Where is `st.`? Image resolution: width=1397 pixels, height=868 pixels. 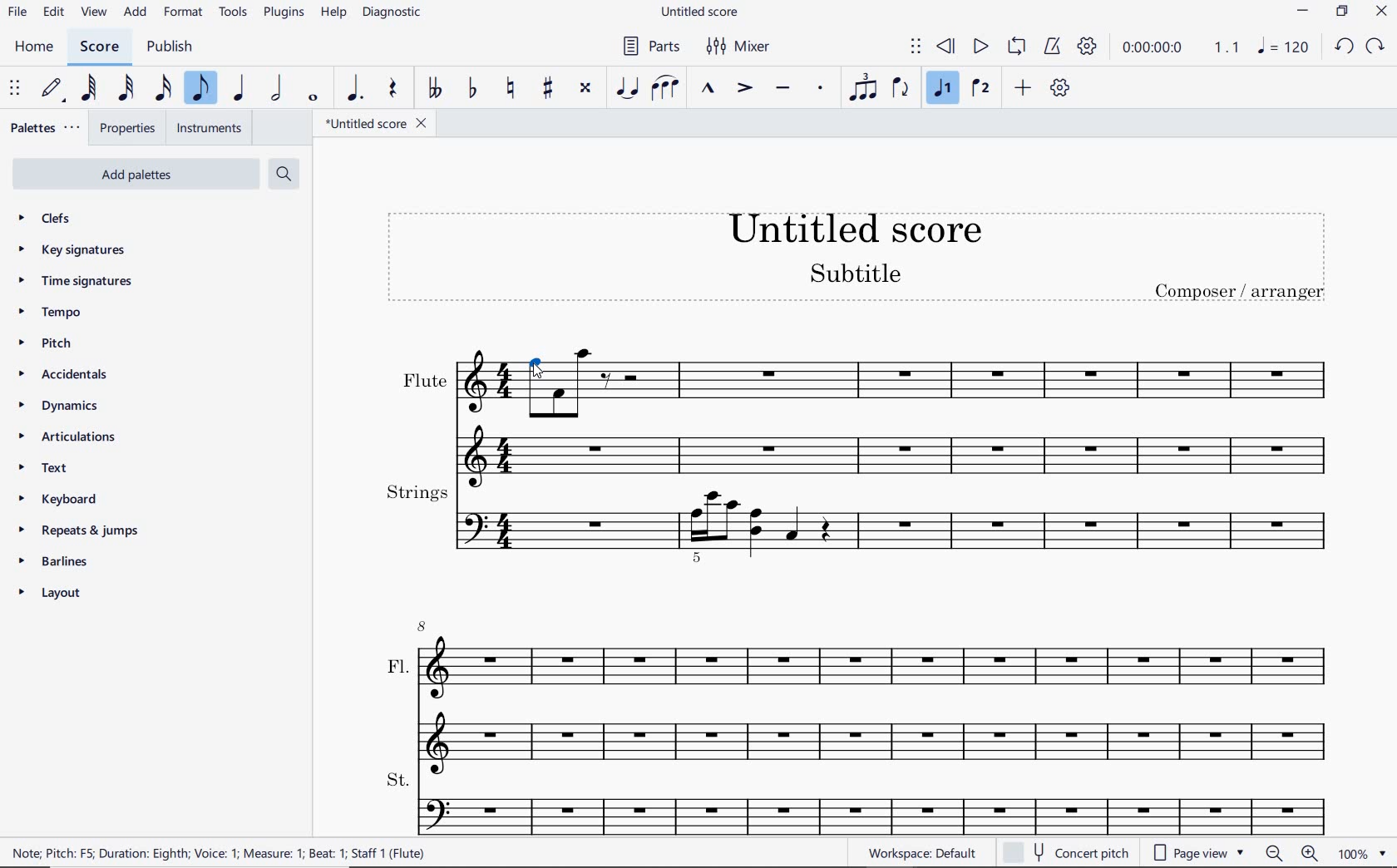 st. is located at coordinates (875, 801).